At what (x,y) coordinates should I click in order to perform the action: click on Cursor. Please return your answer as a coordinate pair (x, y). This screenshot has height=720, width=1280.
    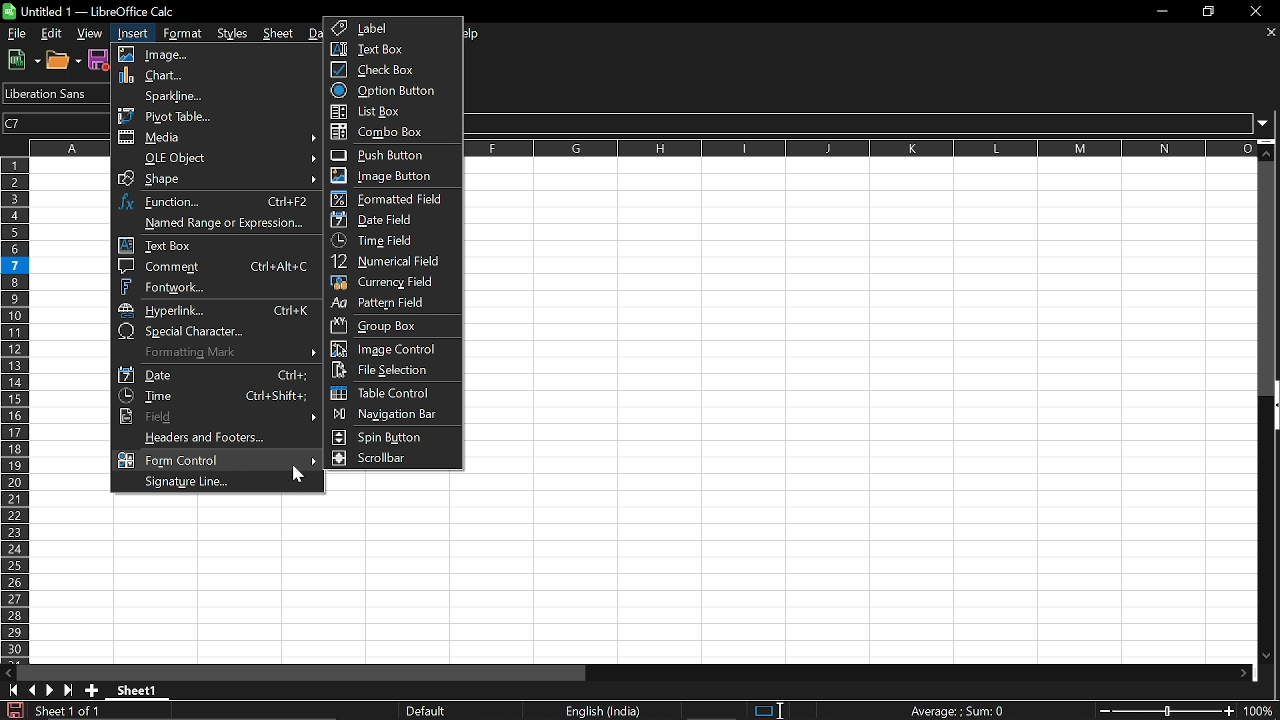
    Looking at the image, I should click on (301, 475).